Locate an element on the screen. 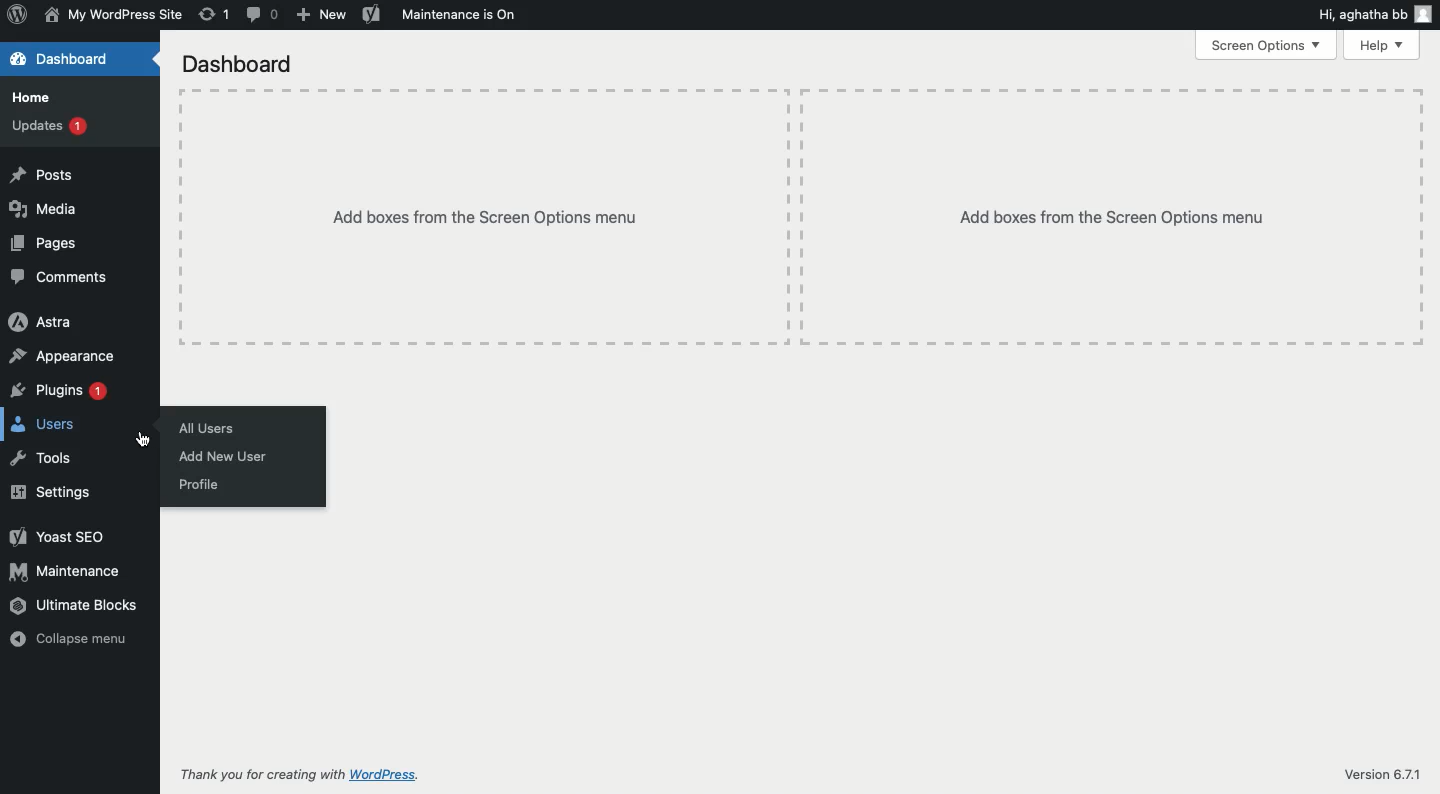 Image resolution: width=1440 pixels, height=794 pixels. Updates is located at coordinates (50, 125).